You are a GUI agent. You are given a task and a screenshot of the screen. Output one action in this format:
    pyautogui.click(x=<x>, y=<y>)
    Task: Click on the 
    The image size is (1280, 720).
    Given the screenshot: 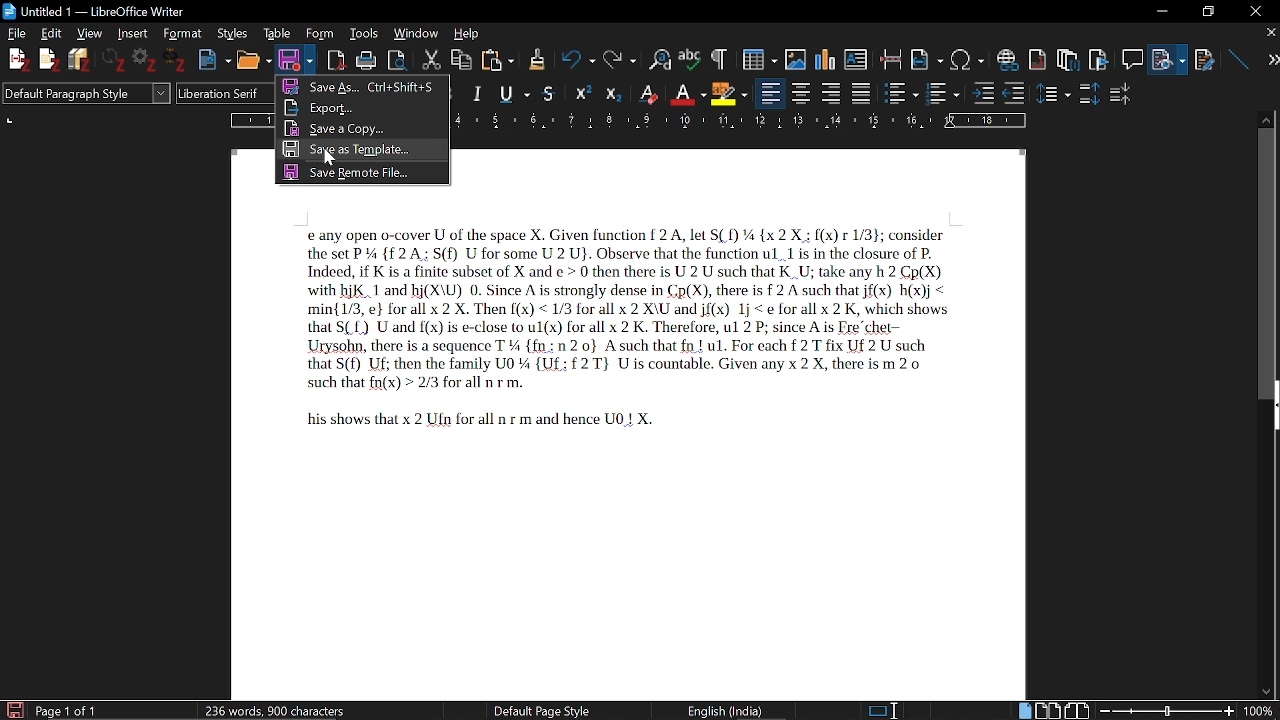 What is the action you would take?
    pyautogui.click(x=49, y=61)
    